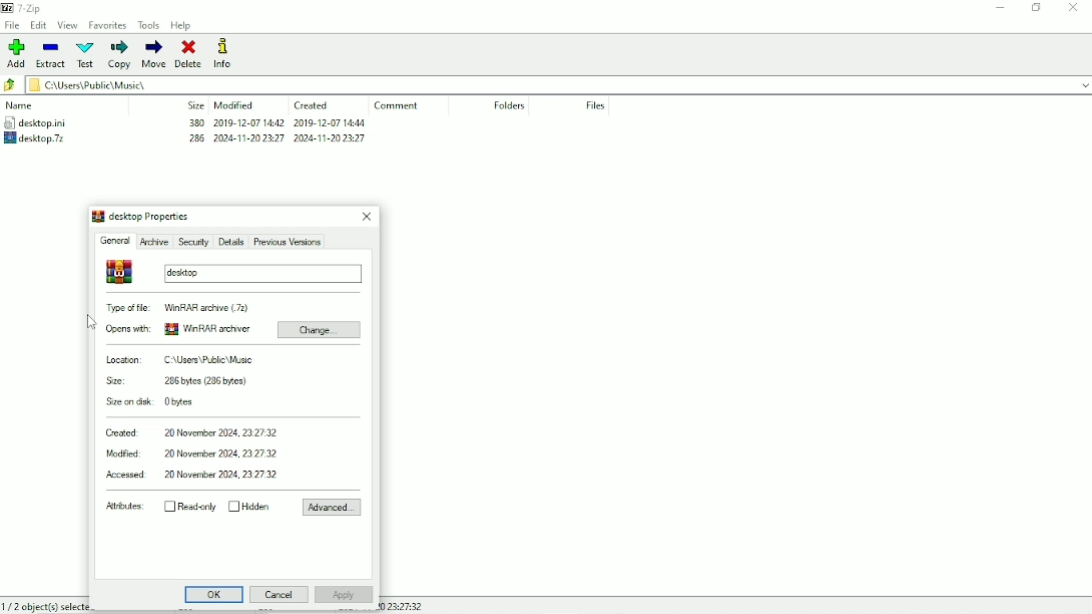 Image resolution: width=1092 pixels, height=614 pixels. I want to click on desktop, so click(235, 272).